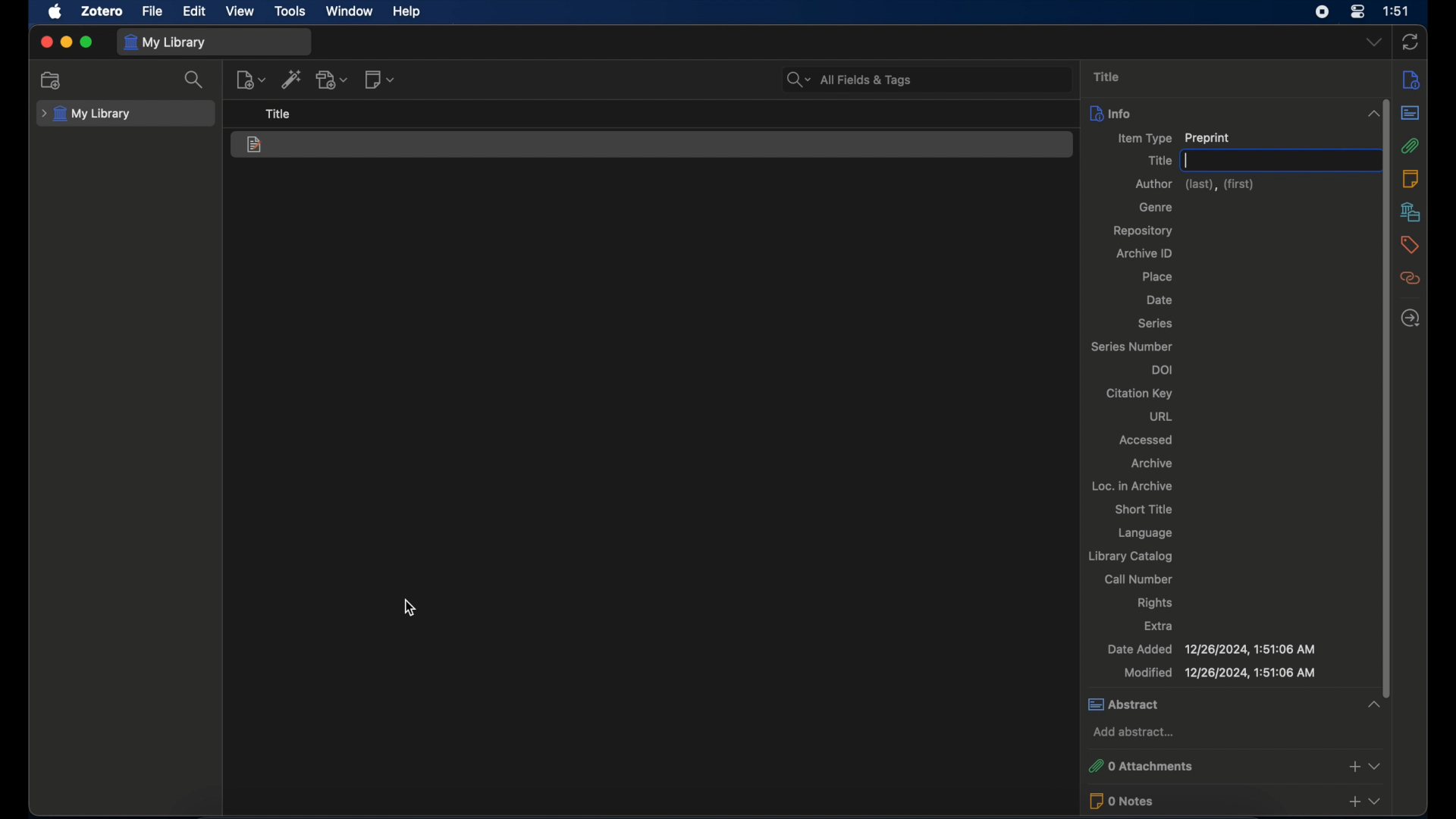 The width and height of the screenshot is (1456, 819). Describe the element at coordinates (255, 146) in the screenshot. I see `preprint` at that location.